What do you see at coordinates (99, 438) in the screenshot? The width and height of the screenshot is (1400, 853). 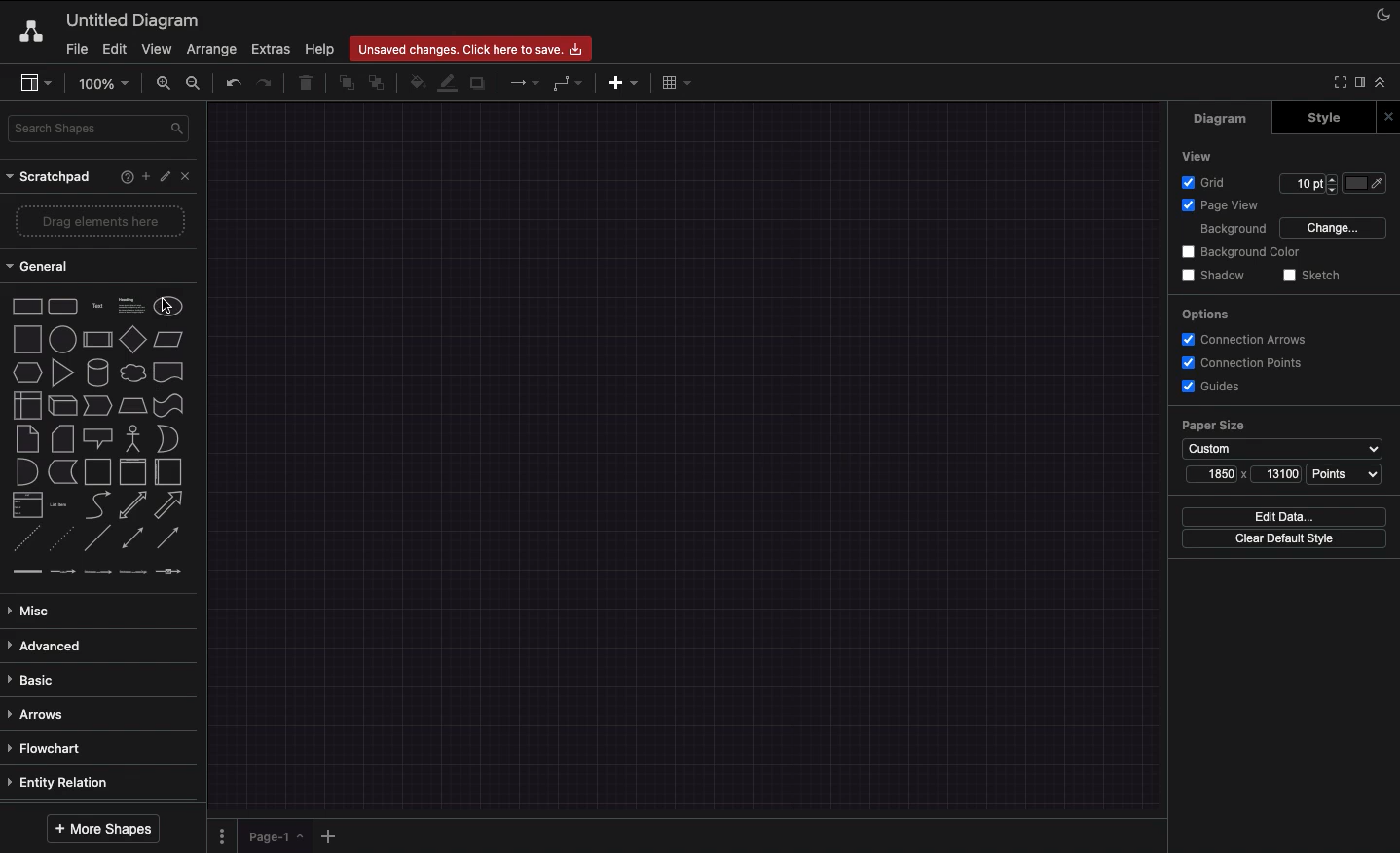 I see `Callout` at bounding box center [99, 438].